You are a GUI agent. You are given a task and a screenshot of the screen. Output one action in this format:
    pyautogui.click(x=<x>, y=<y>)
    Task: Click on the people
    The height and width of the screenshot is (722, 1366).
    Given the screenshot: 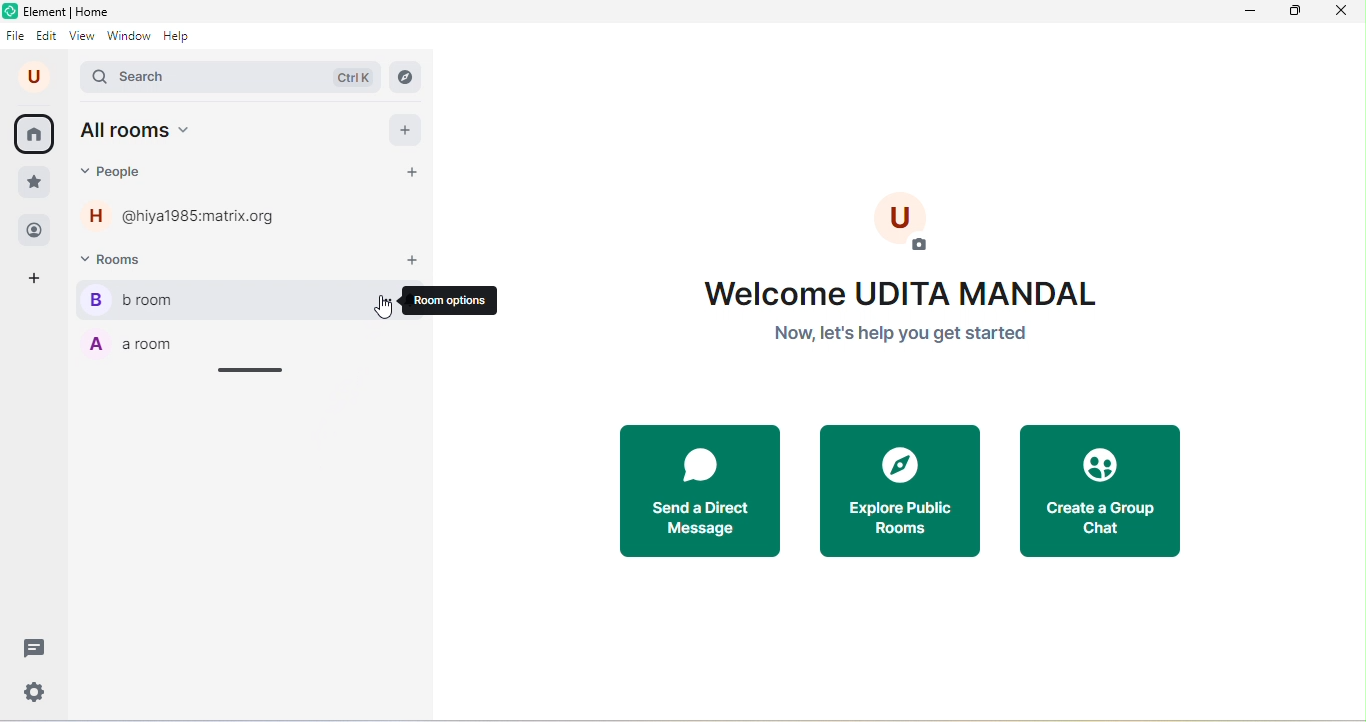 What is the action you would take?
    pyautogui.click(x=114, y=172)
    